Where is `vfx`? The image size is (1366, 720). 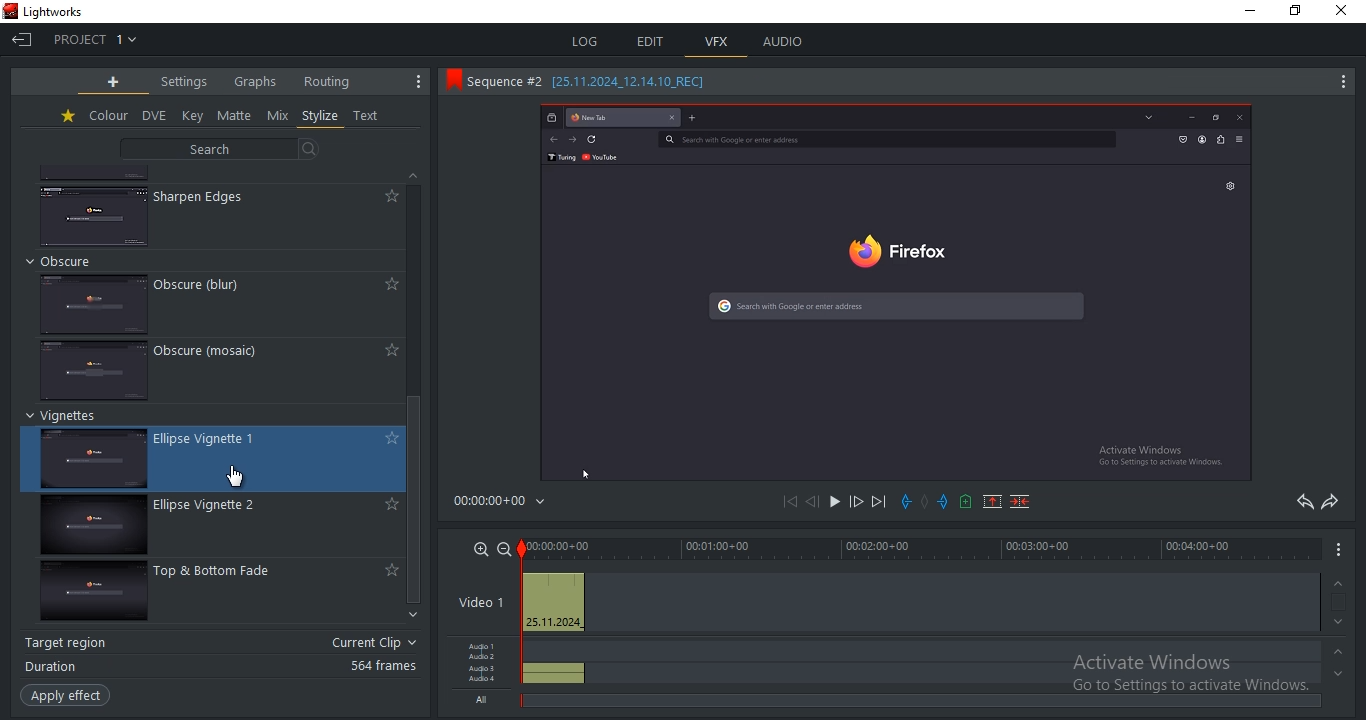 vfx is located at coordinates (717, 42).